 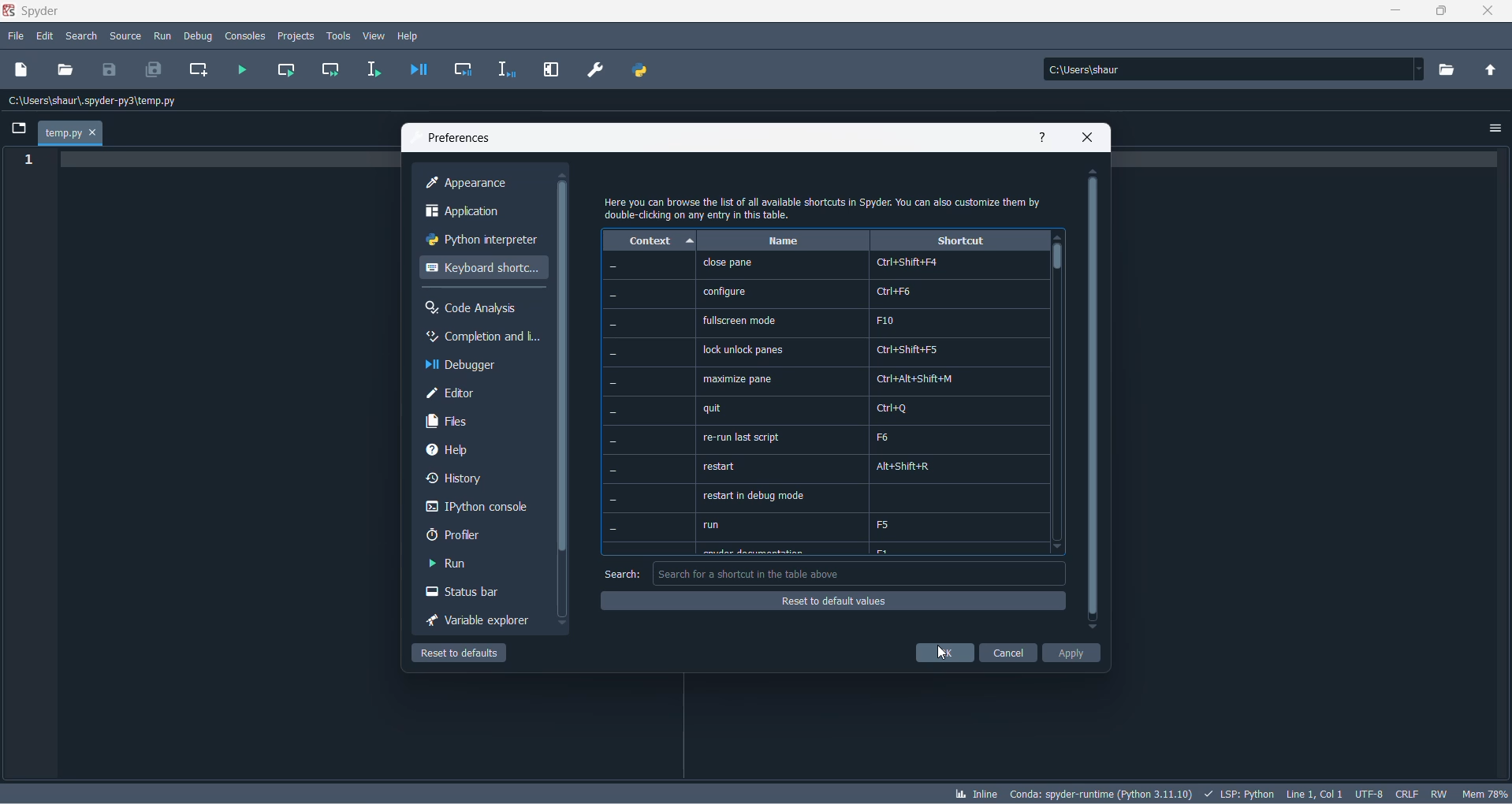 I want to click on MAXIMIZE CURRENT PANE, so click(x=549, y=71).